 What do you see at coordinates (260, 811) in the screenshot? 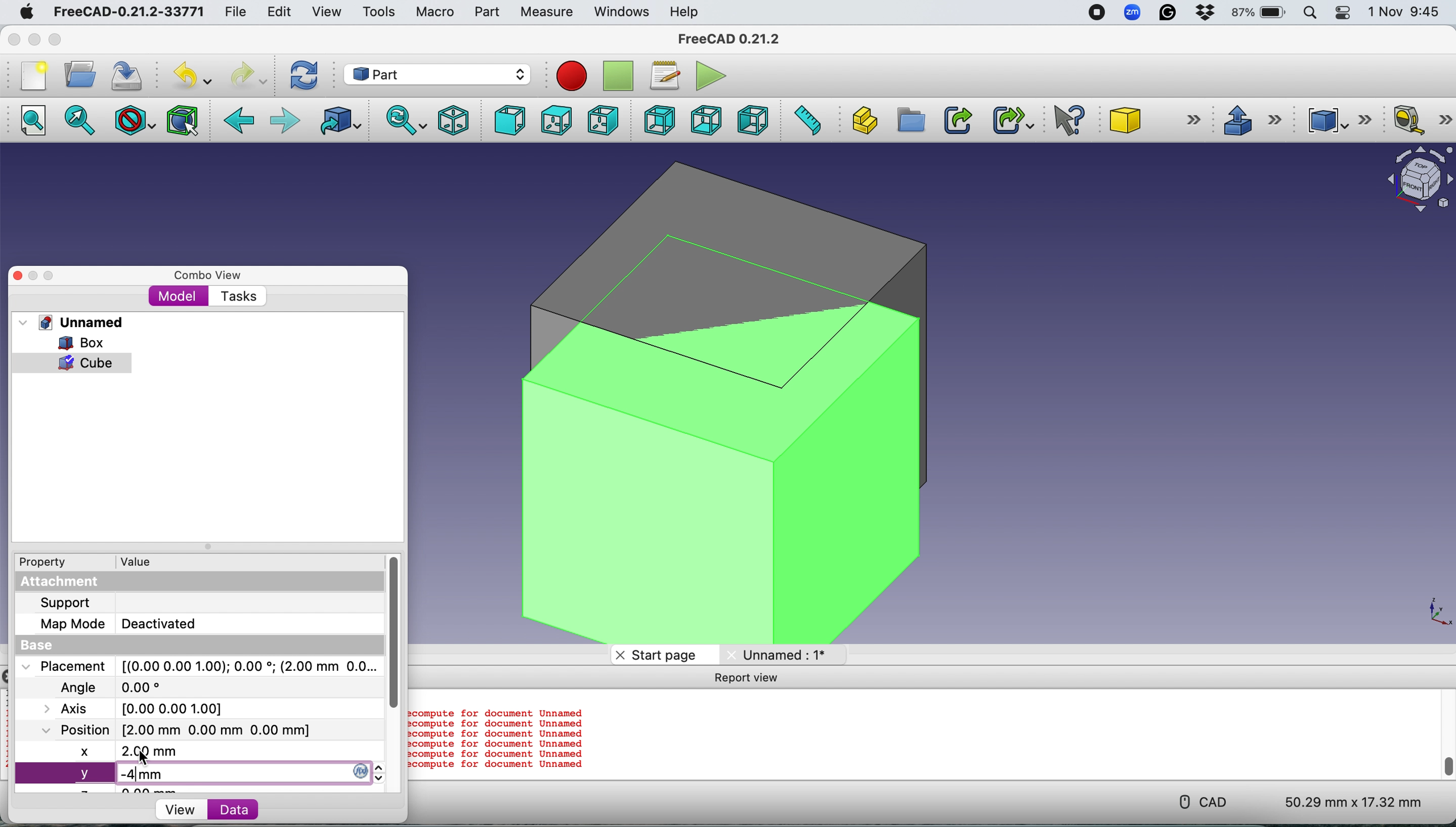
I see `Data` at bounding box center [260, 811].